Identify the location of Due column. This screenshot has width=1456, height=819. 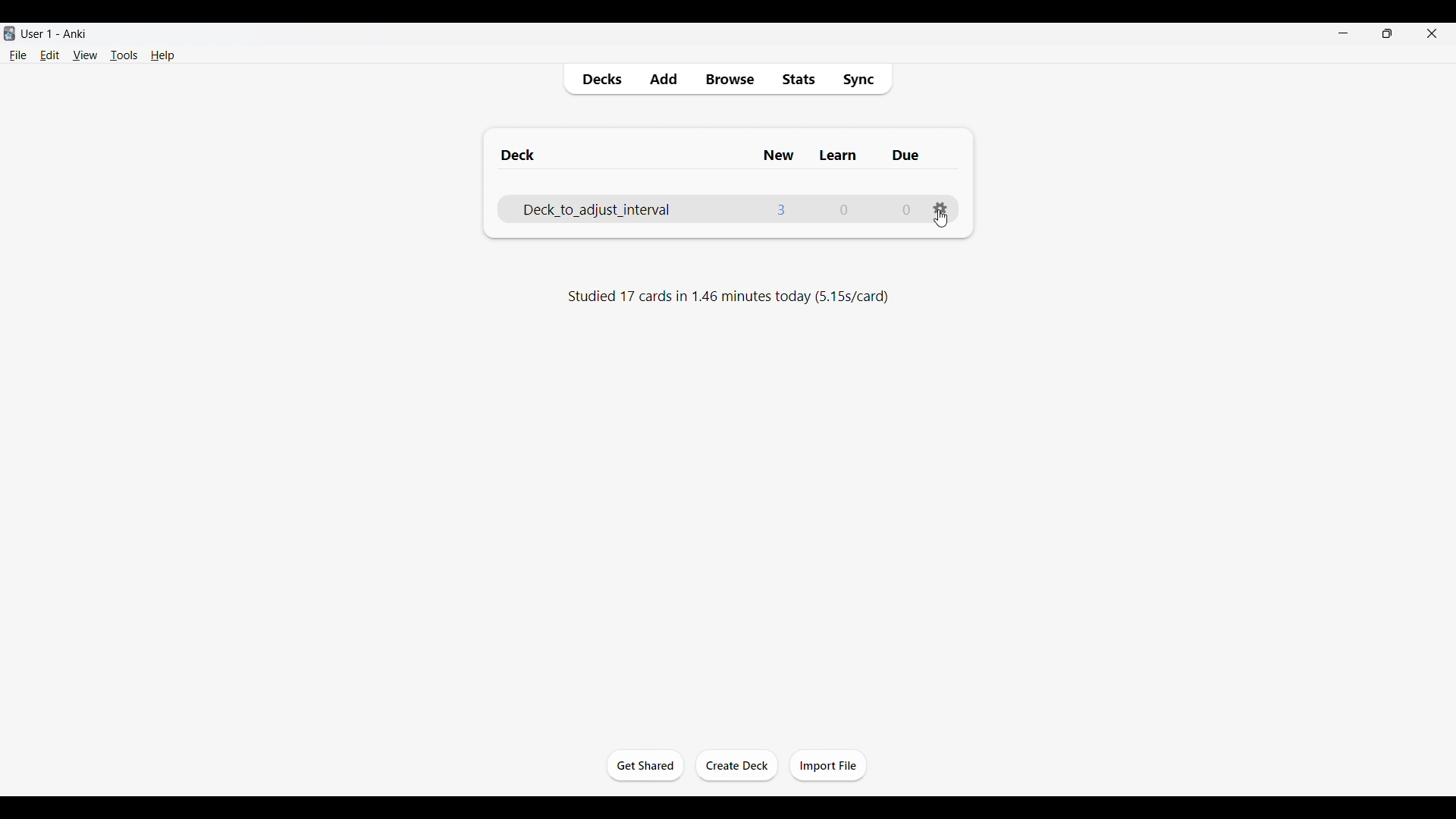
(905, 157).